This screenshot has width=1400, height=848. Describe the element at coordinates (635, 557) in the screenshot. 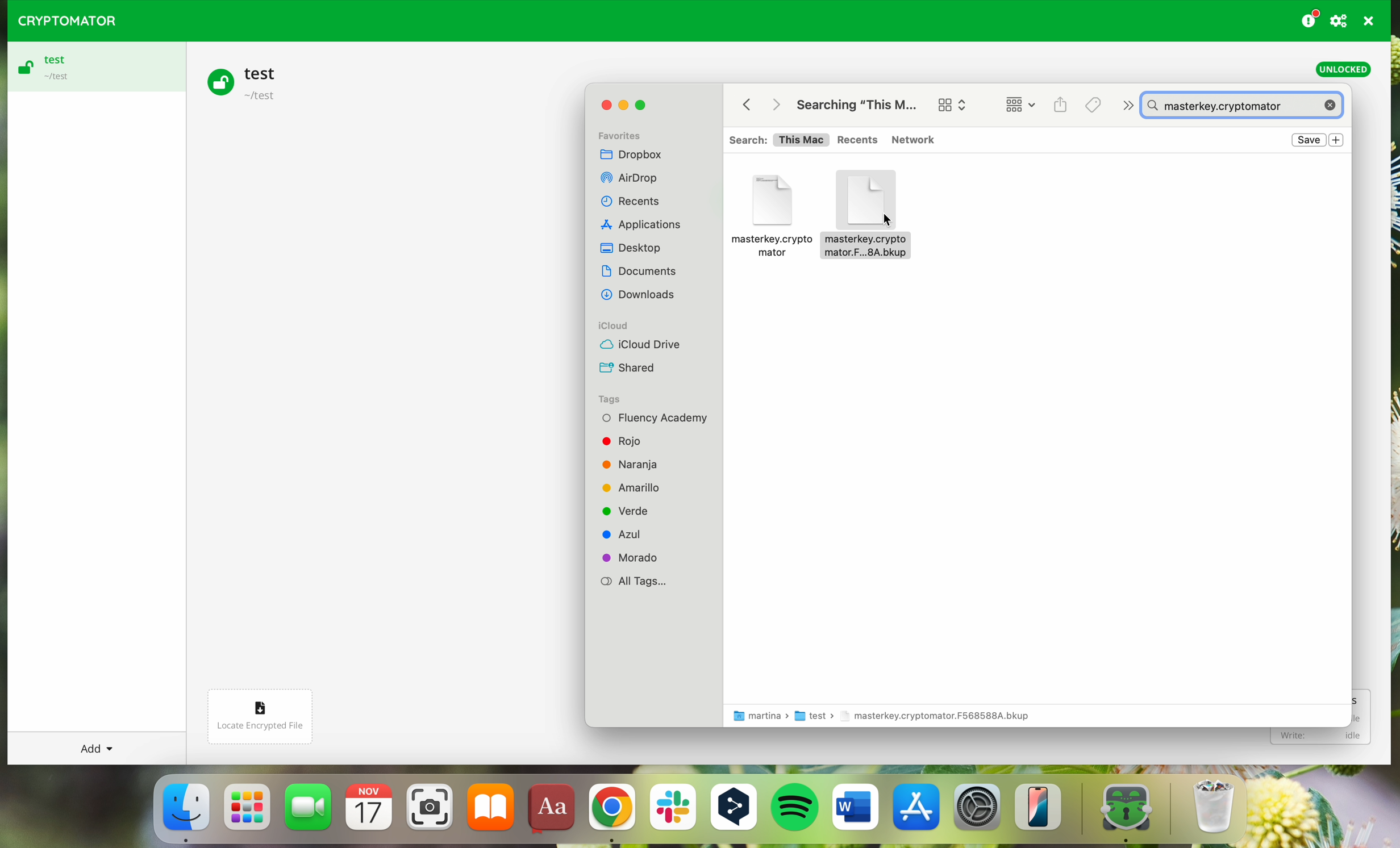

I see `Morado` at that location.